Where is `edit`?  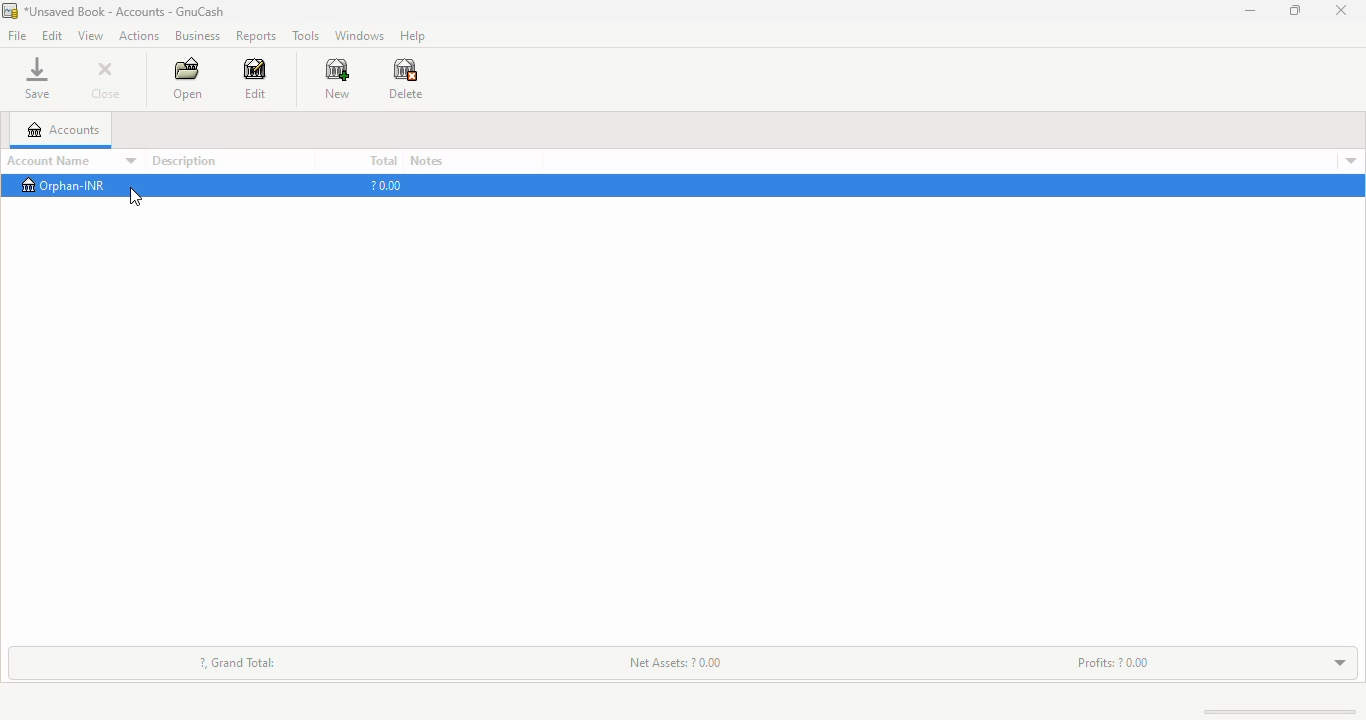
edit is located at coordinates (254, 79).